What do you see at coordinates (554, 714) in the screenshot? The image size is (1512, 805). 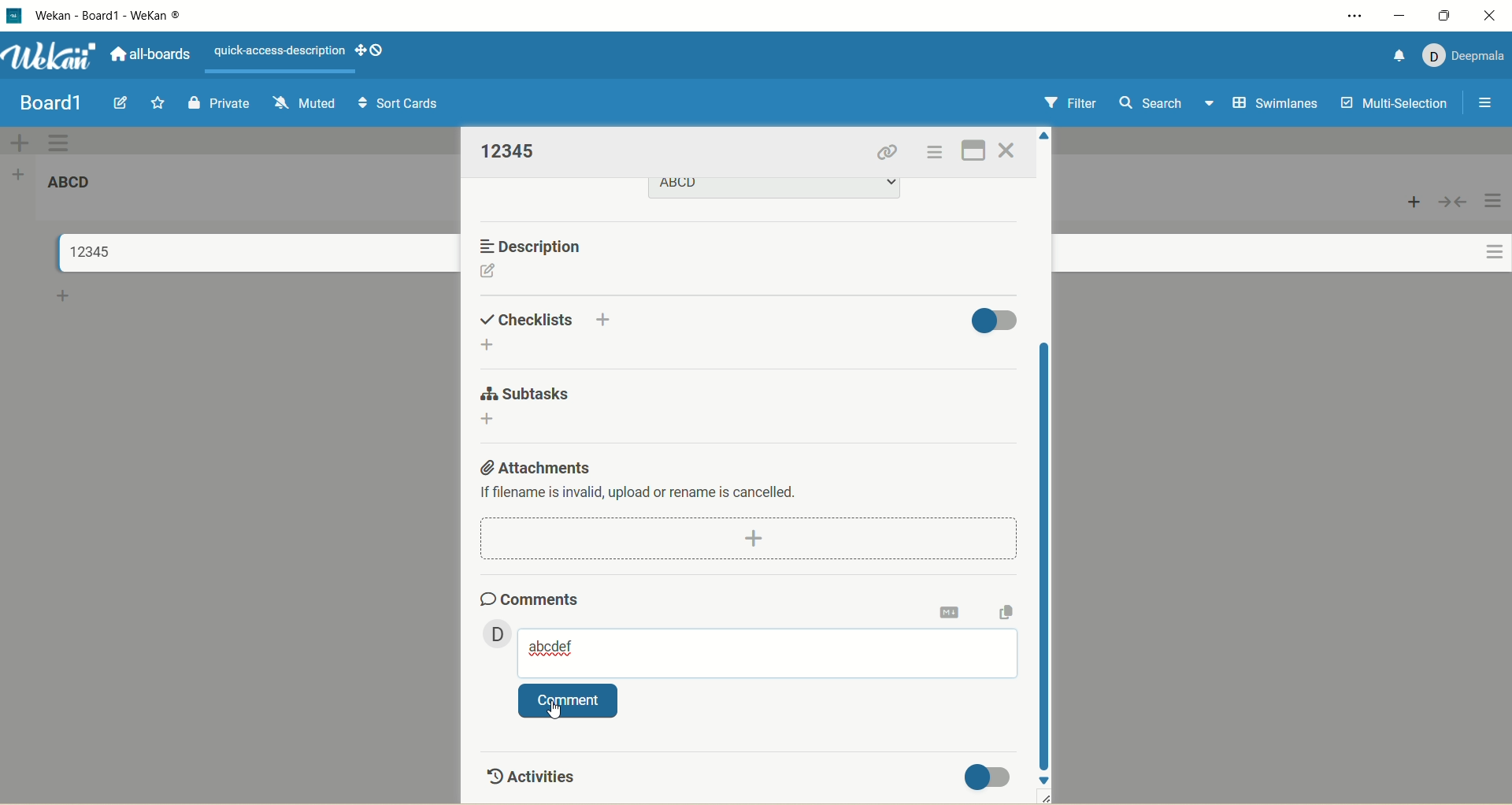 I see `cursor` at bounding box center [554, 714].